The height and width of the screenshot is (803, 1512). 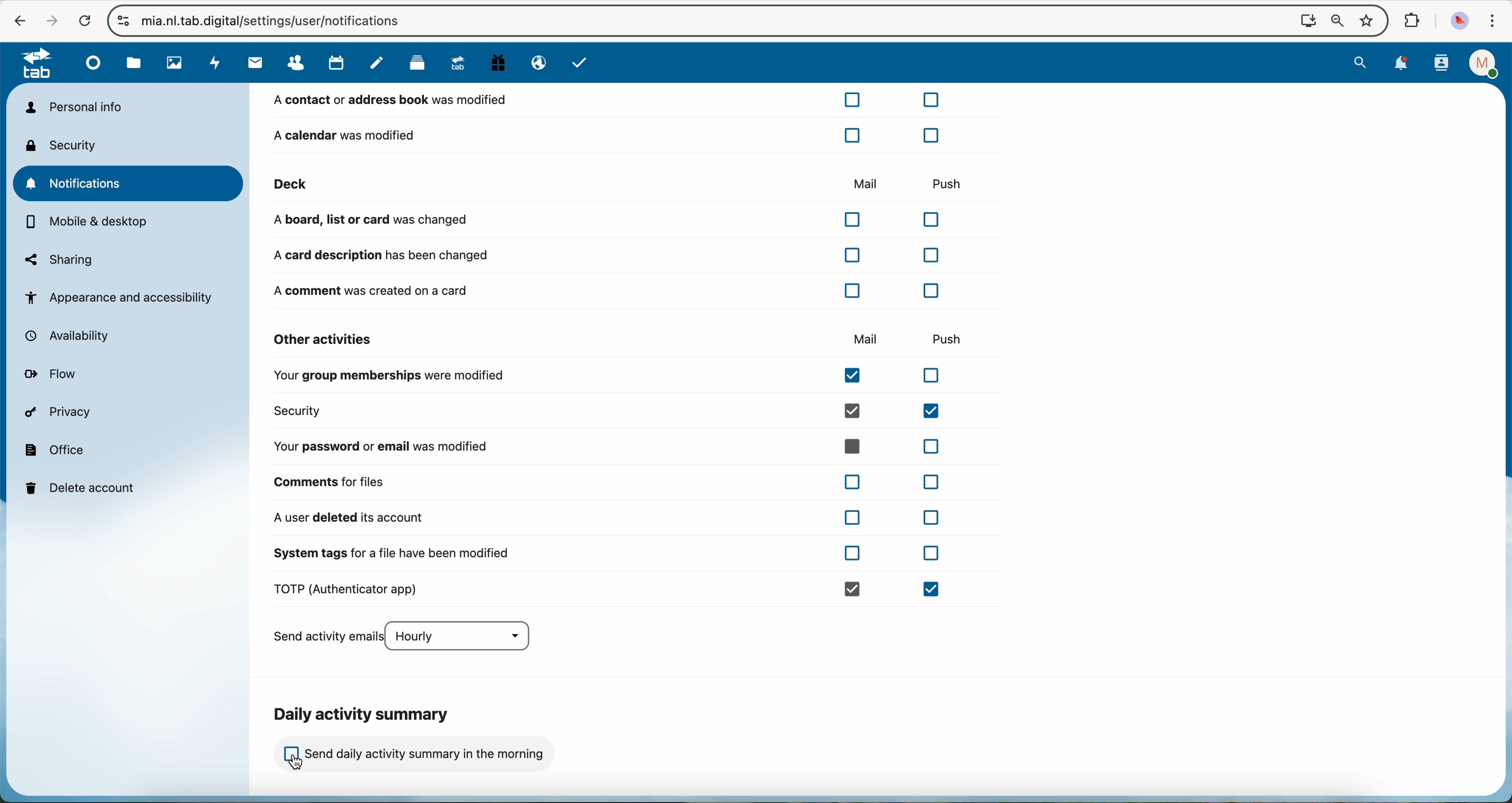 What do you see at coordinates (863, 182) in the screenshot?
I see `mail` at bounding box center [863, 182].